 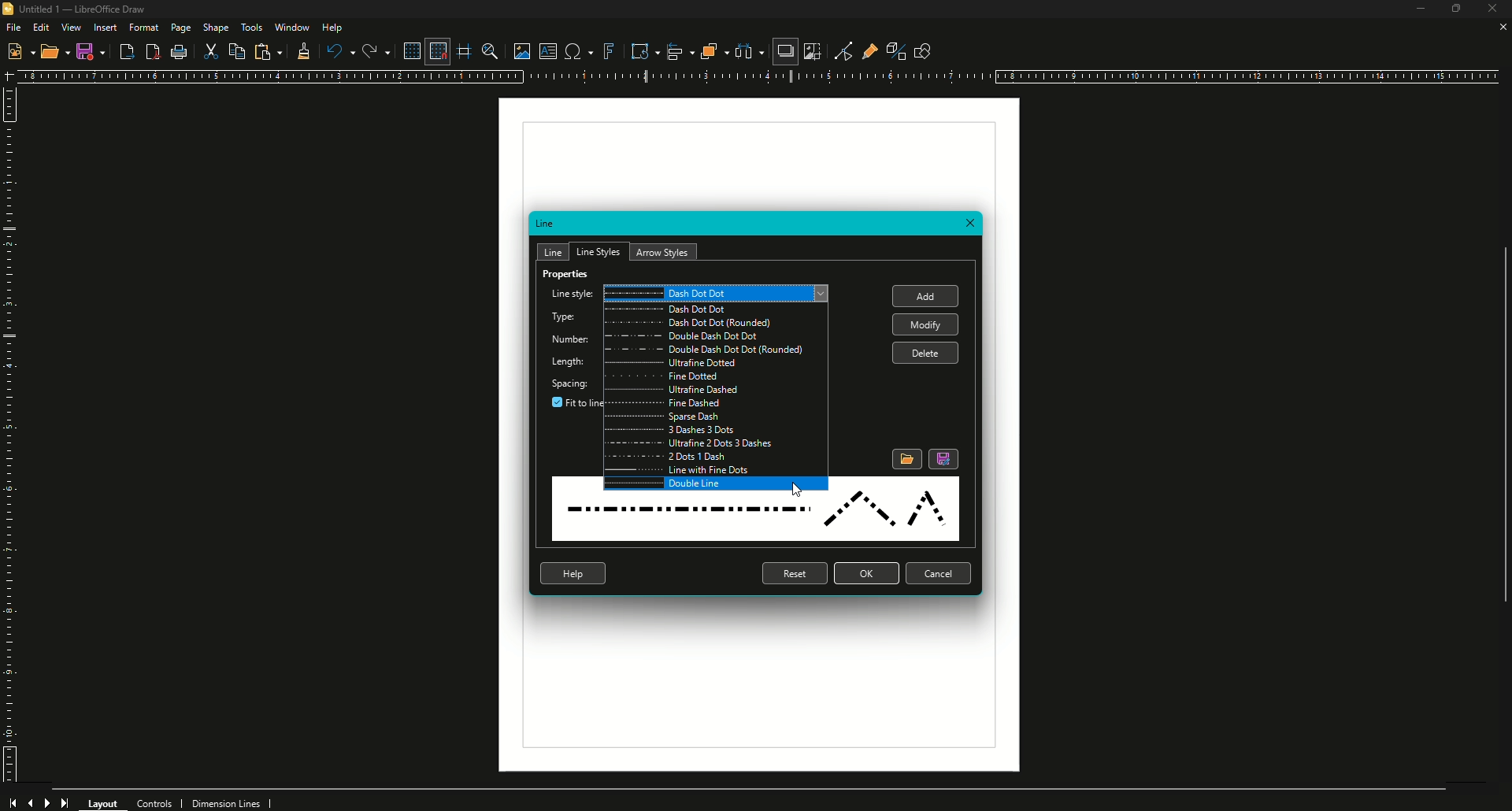 What do you see at coordinates (717, 392) in the screenshot?
I see `Ultrafine Dashed` at bounding box center [717, 392].